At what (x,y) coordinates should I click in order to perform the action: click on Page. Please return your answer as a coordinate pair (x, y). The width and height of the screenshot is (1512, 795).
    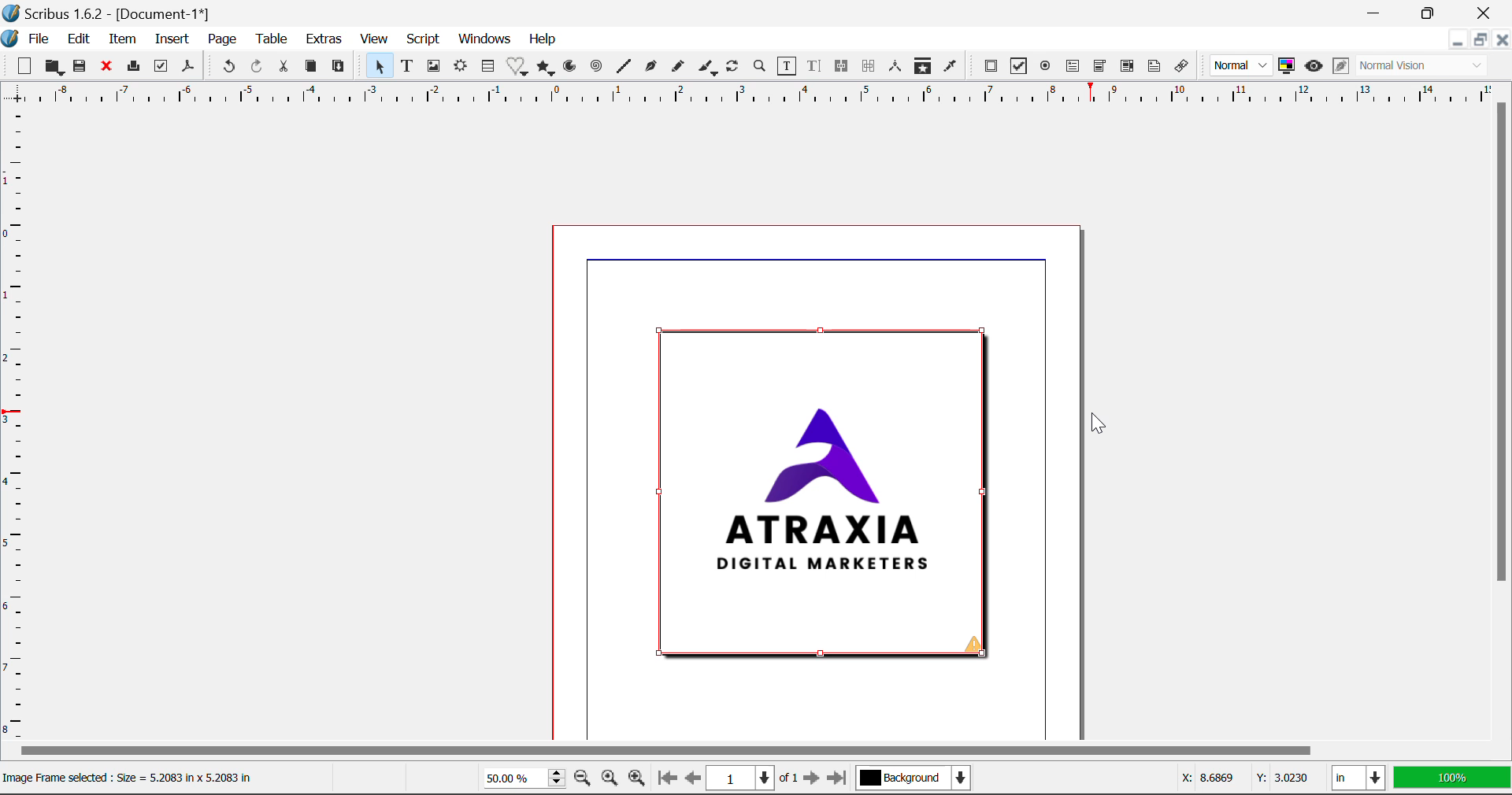
    Looking at the image, I should click on (222, 41).